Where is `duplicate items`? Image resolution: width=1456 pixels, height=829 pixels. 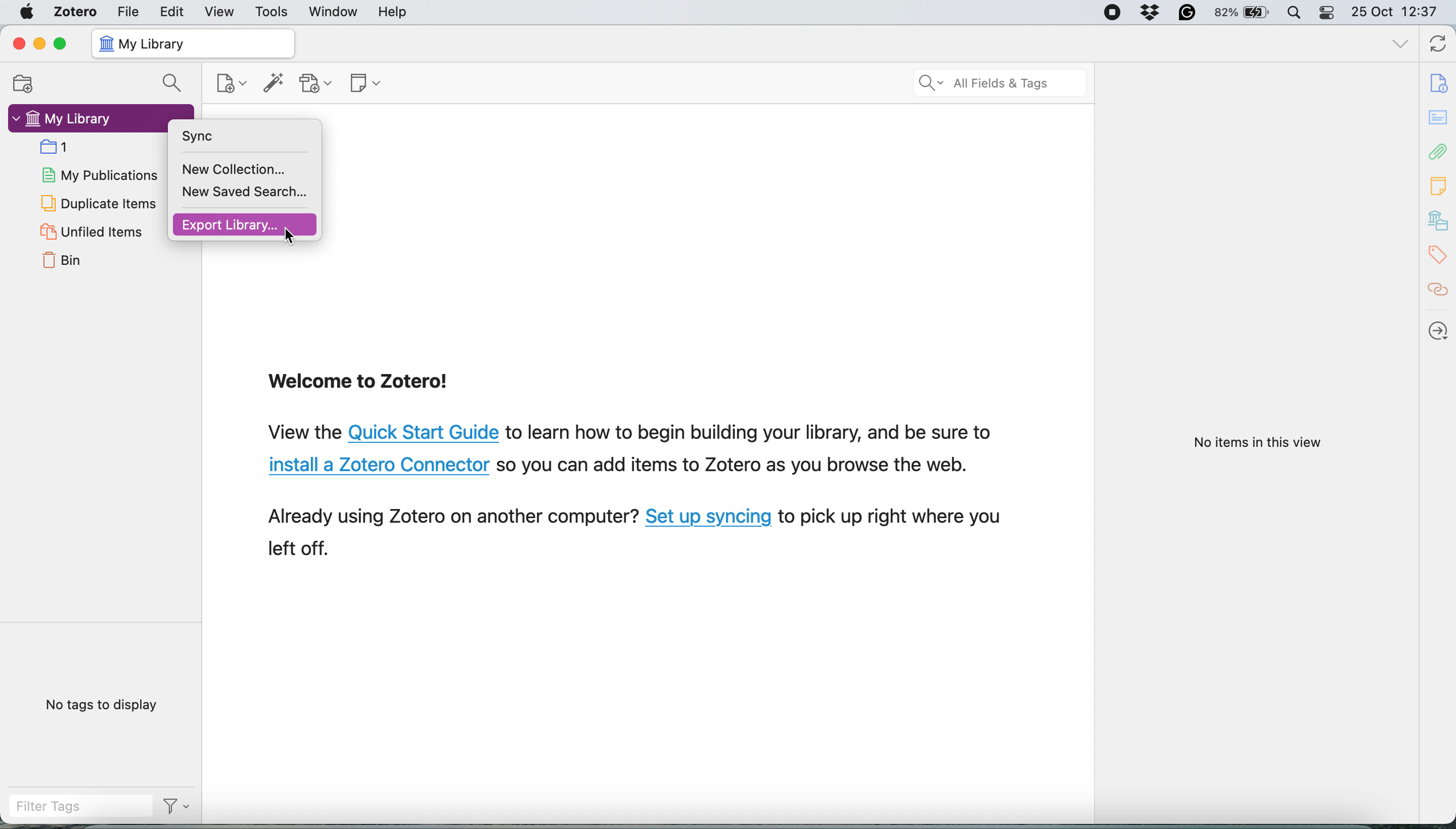
duplicate items is located at coordinates (100, 203).